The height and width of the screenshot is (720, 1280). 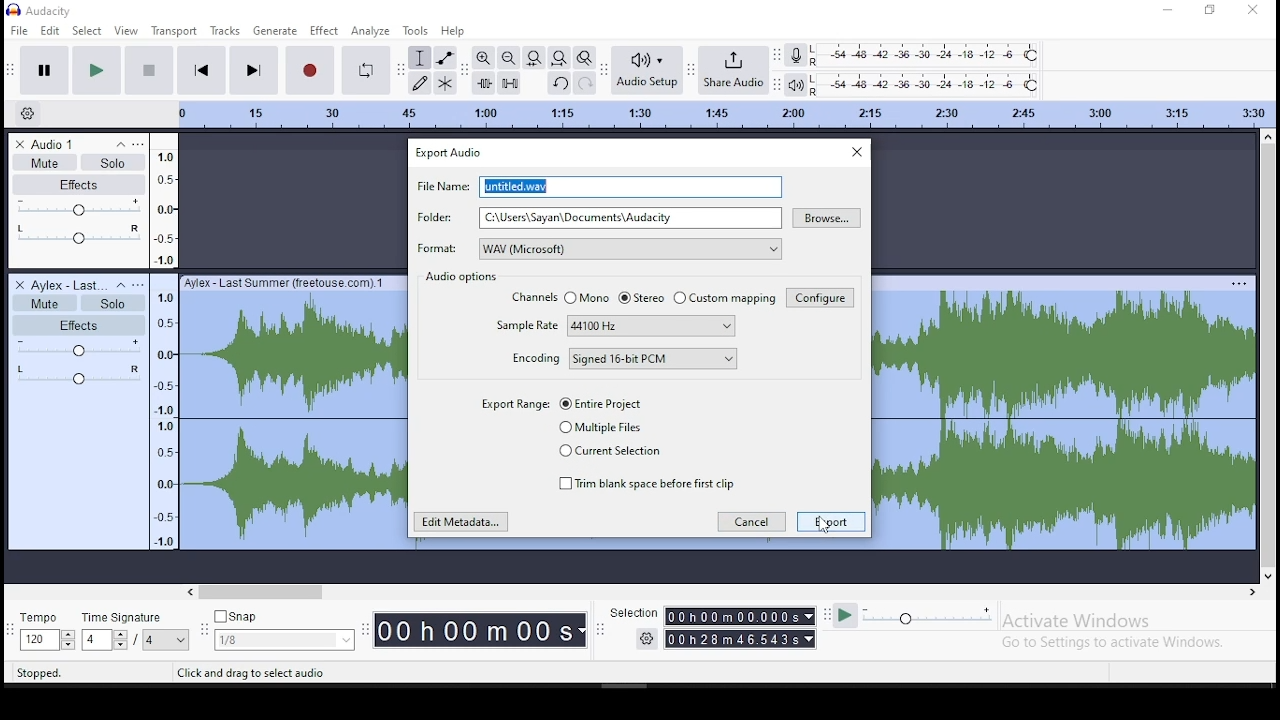 I want to click on collapse, so click(x=120, y=144).